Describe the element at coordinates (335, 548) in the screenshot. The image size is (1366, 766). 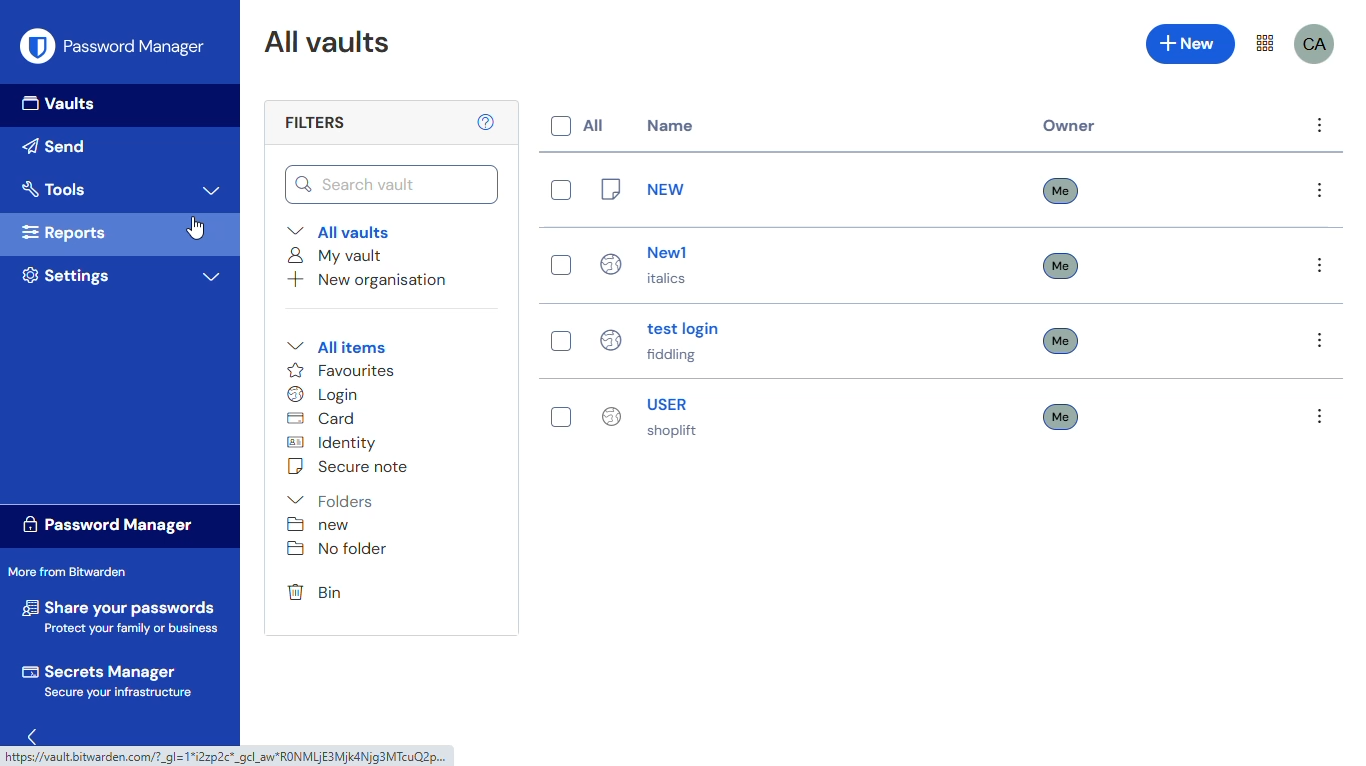
I see `no folder` at that location.